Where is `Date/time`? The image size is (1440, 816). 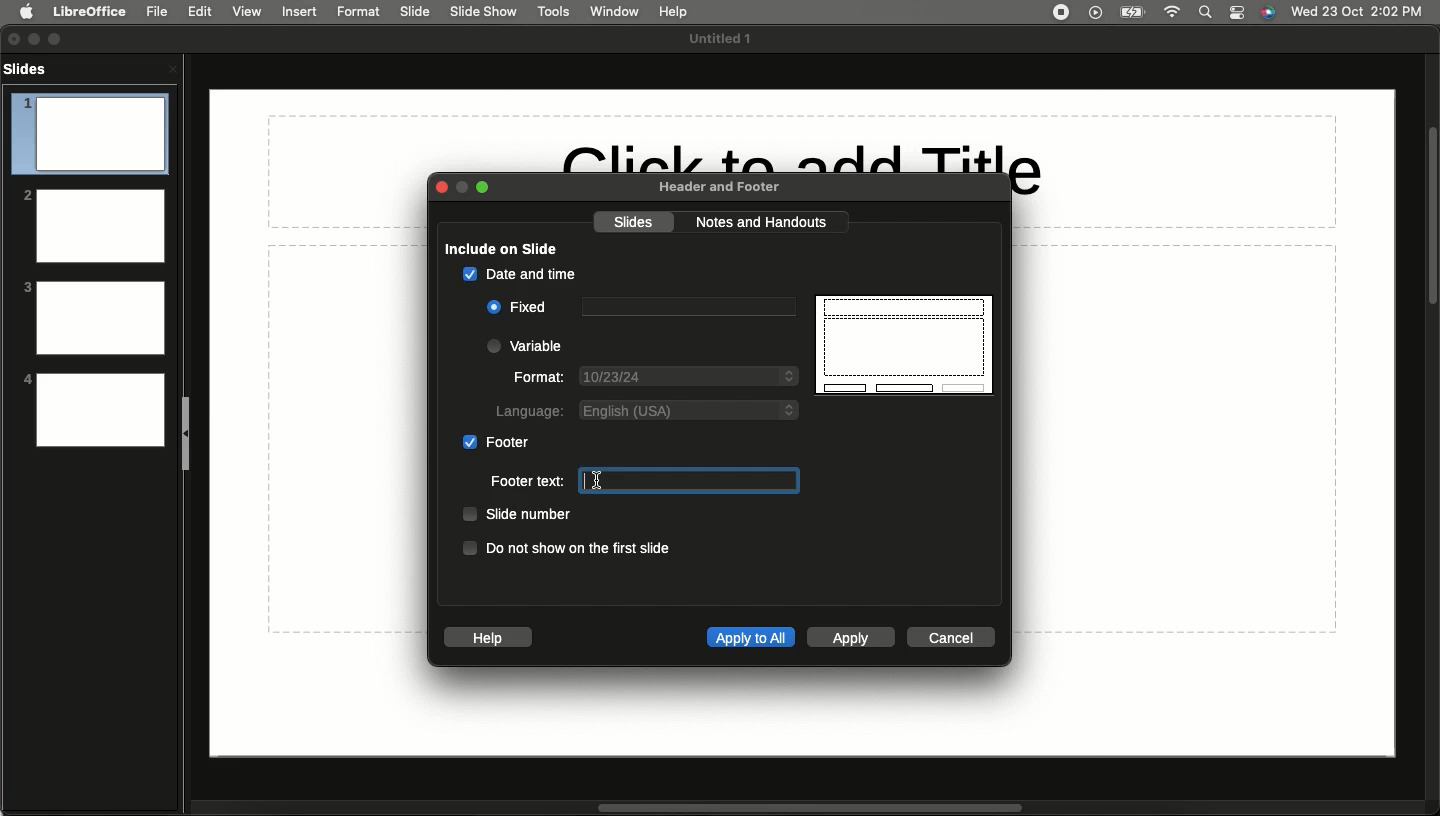 Date/time is located at coordinates (1357, 10).